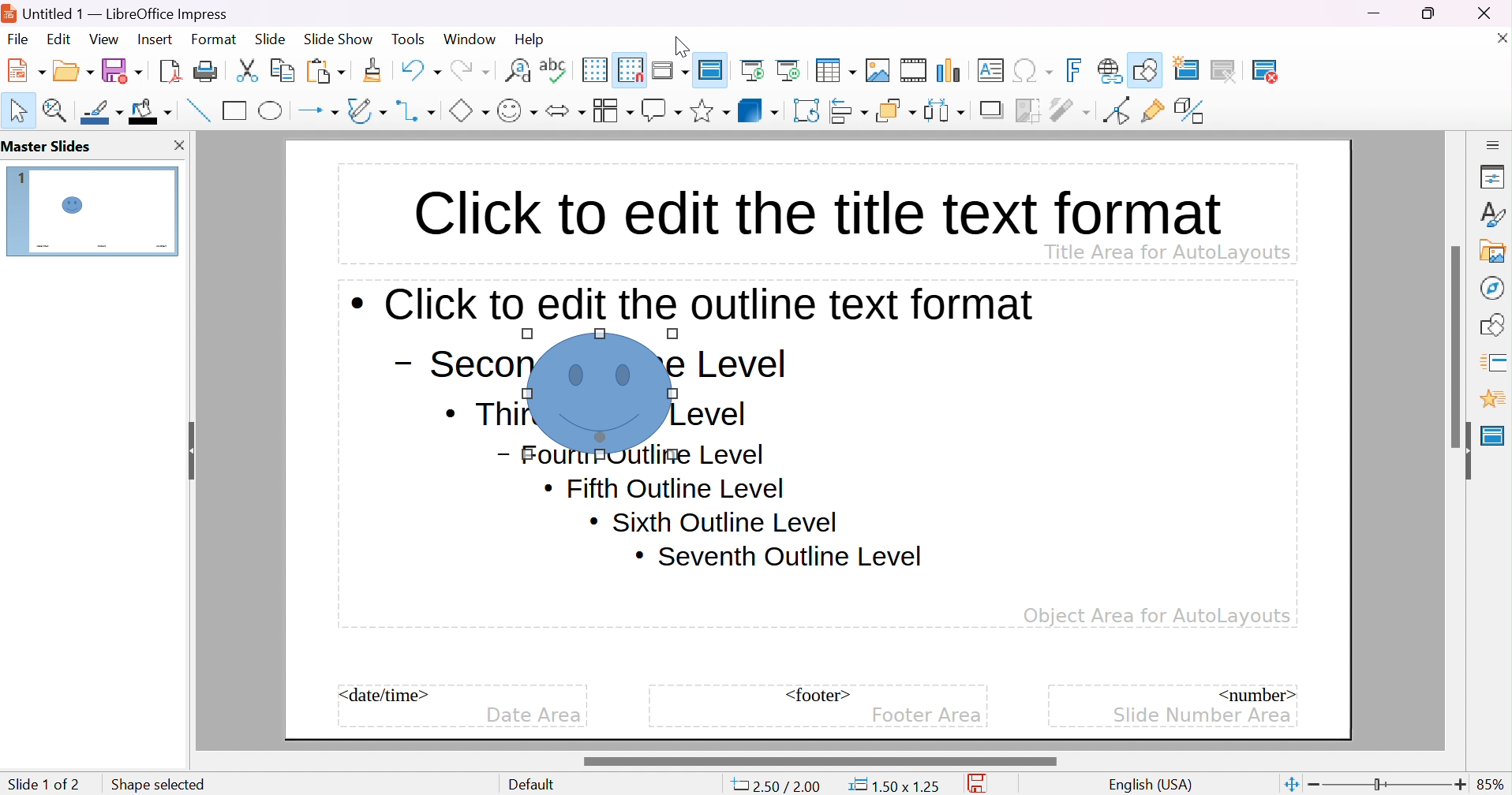  I want to click on 3D onjects, so click(758, 110).